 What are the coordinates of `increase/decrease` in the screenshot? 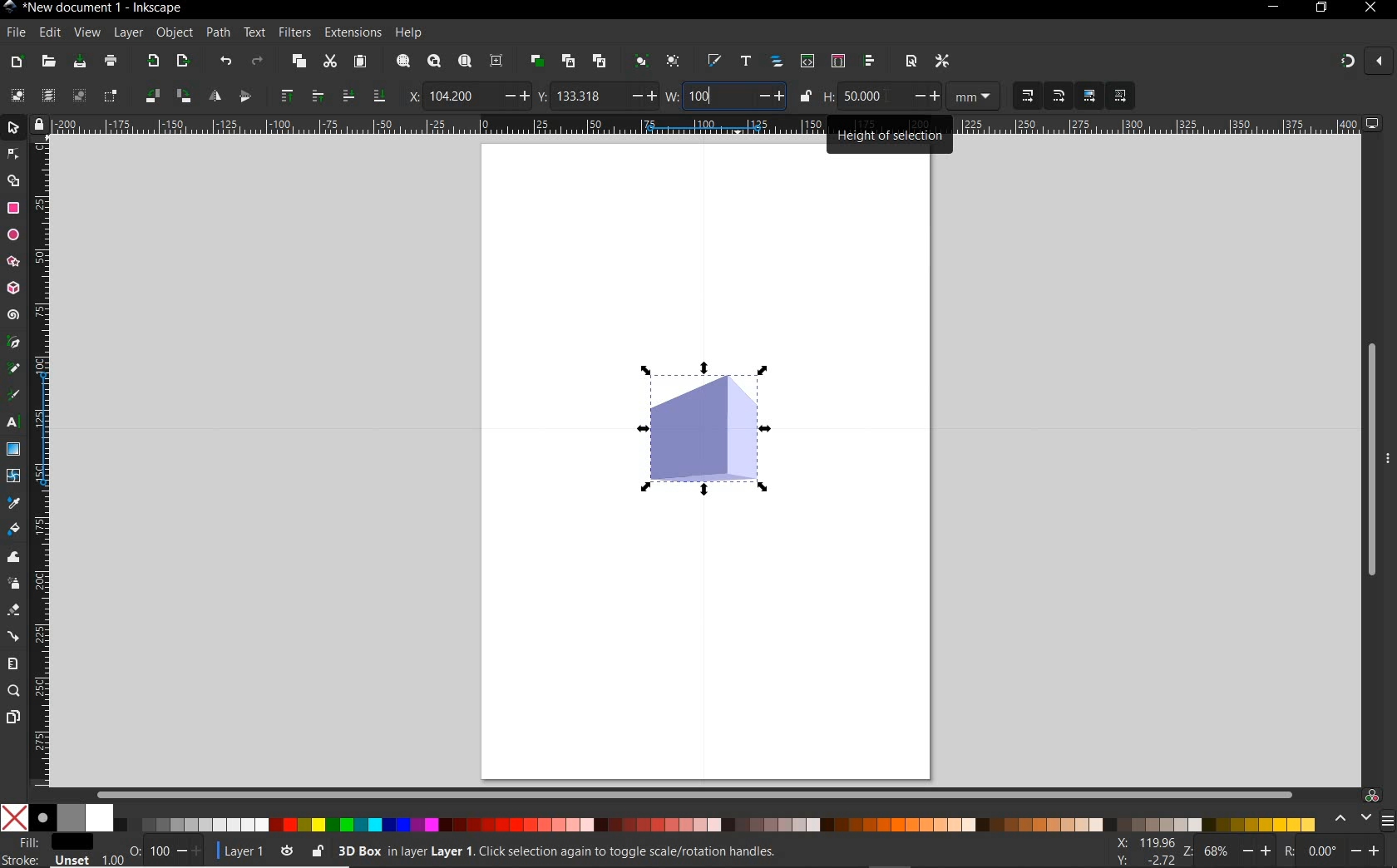 It's located at (1256, 853).